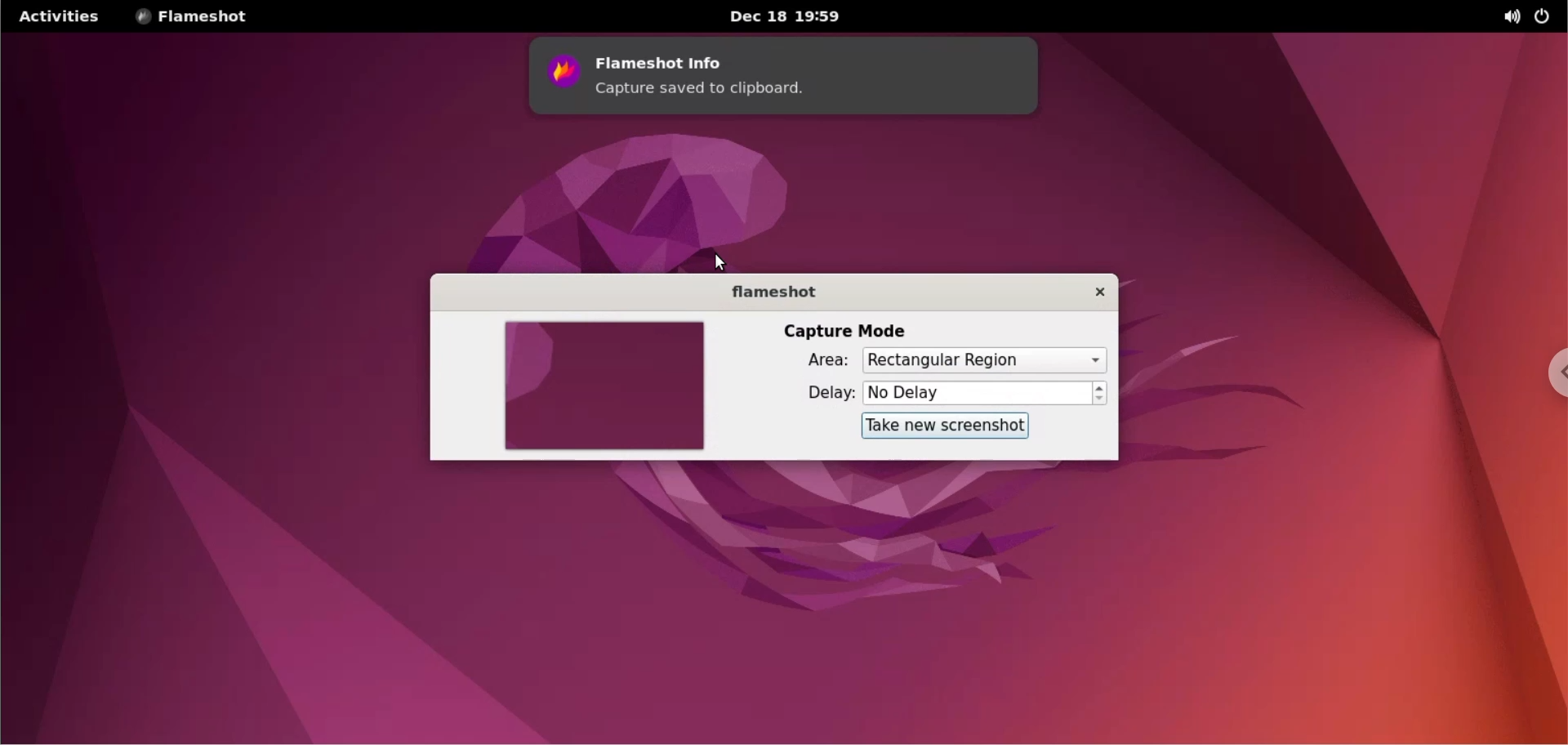 The width and height of the screenshot is (1568, 745). What do you see at coordinates (604, 387) in the screenshot?
I see `screenshot preview` at bounding box center [604, 387].